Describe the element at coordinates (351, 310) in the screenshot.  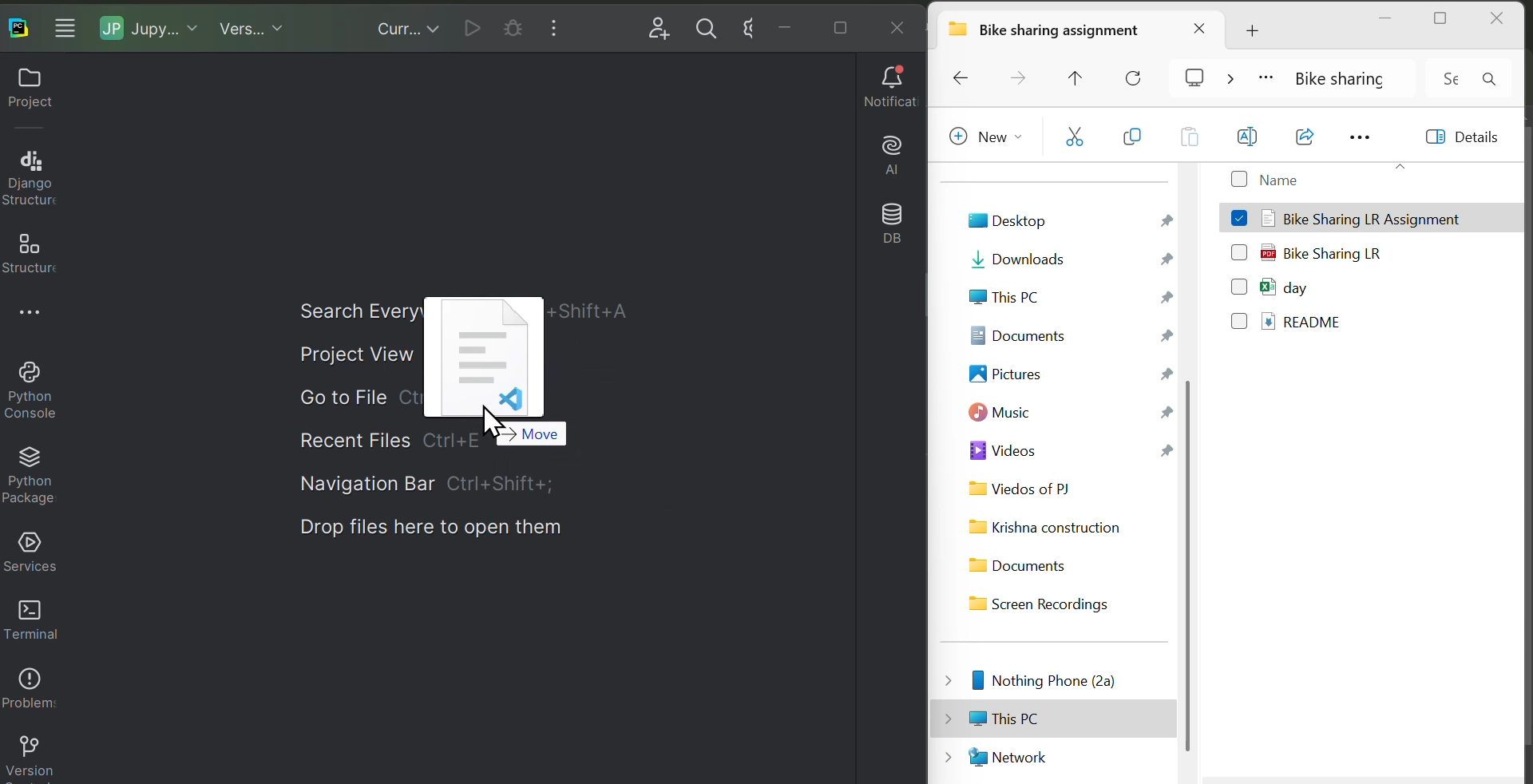
I see `Search everywhere` at that location.